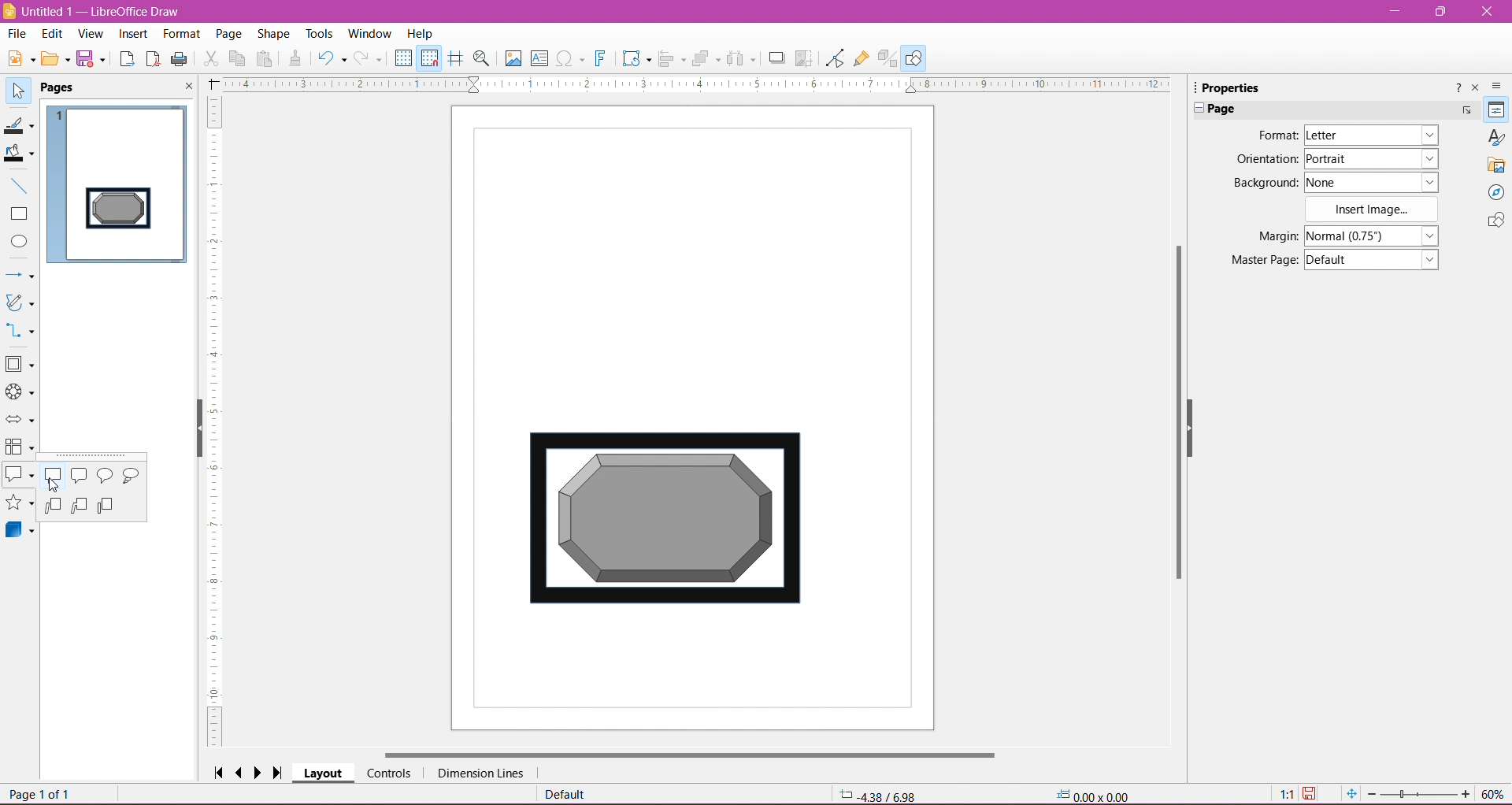 The height and width of the screenshot is (805, 1512). I want to click on Insert Fontwork Text, so click(602, 60).